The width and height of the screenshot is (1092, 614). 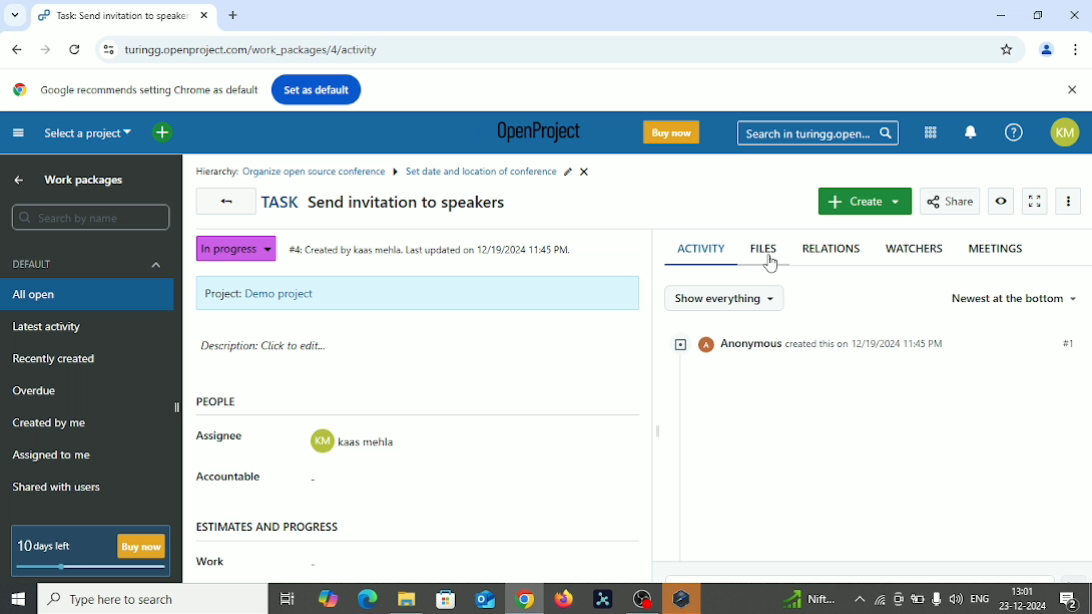 What do you see at coordinates (534, 134) in the screenshot?
I see `OpenProject` at bounding box center [534, 134].